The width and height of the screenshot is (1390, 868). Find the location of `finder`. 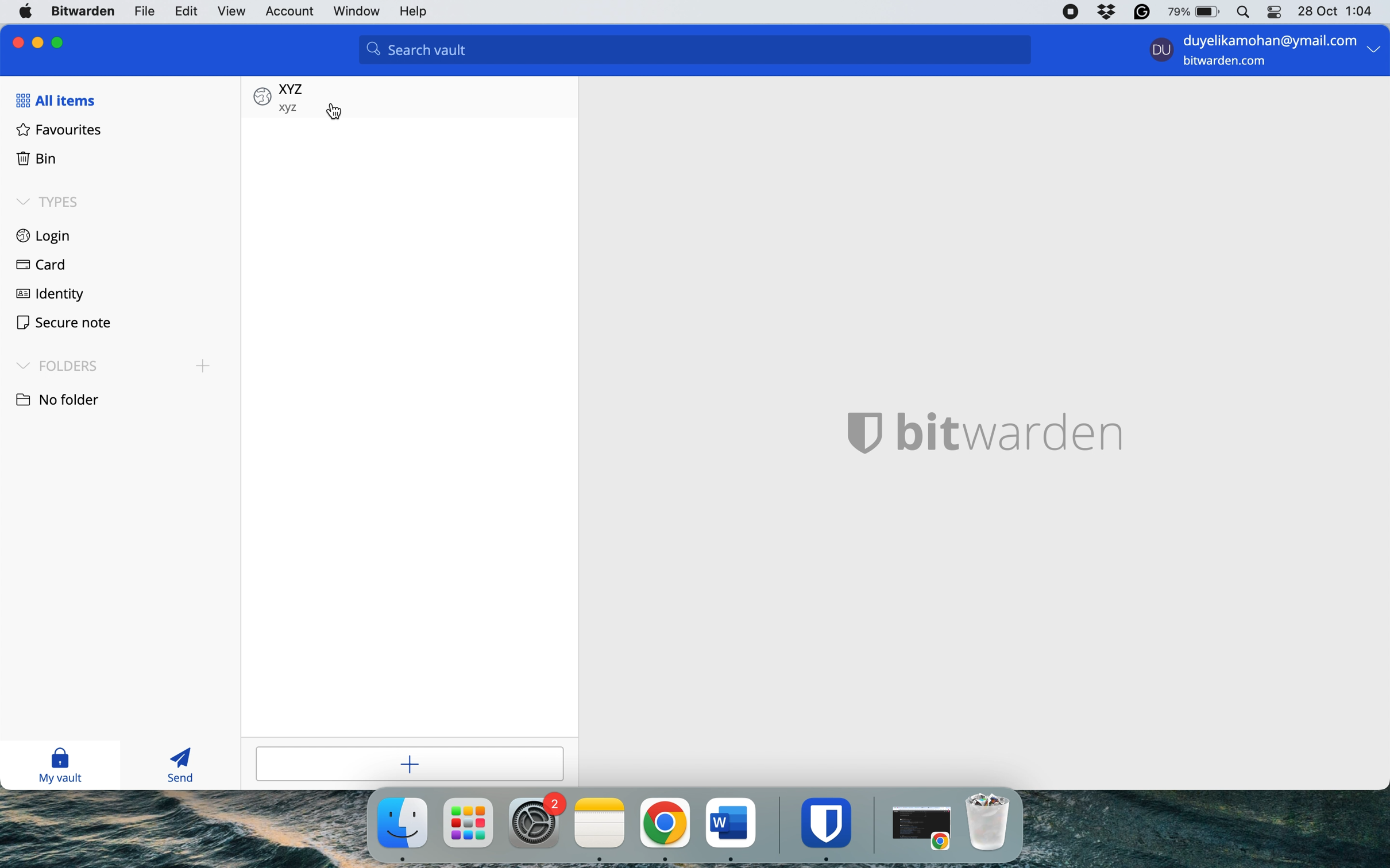

finder is located at coordinates (400, 823).